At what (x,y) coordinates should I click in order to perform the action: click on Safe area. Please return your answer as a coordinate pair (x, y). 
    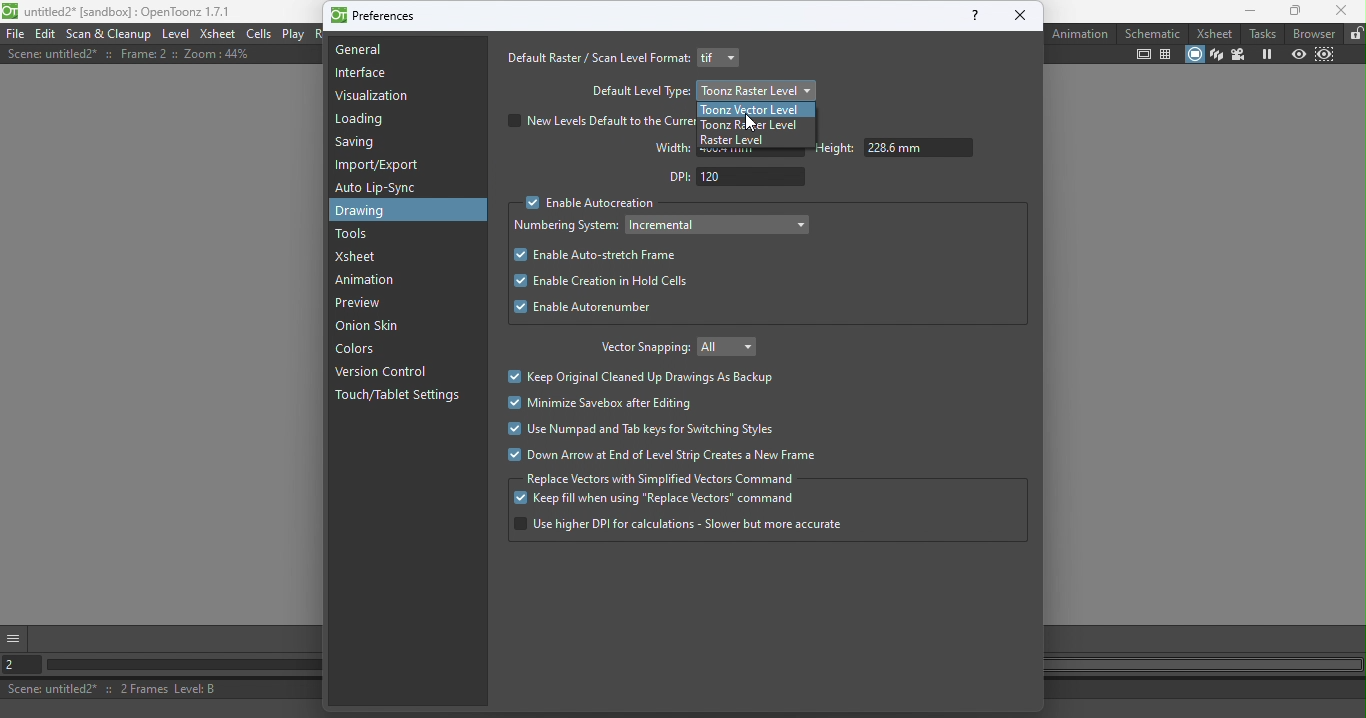
    Looking at the image, I should click on (1144, 55).